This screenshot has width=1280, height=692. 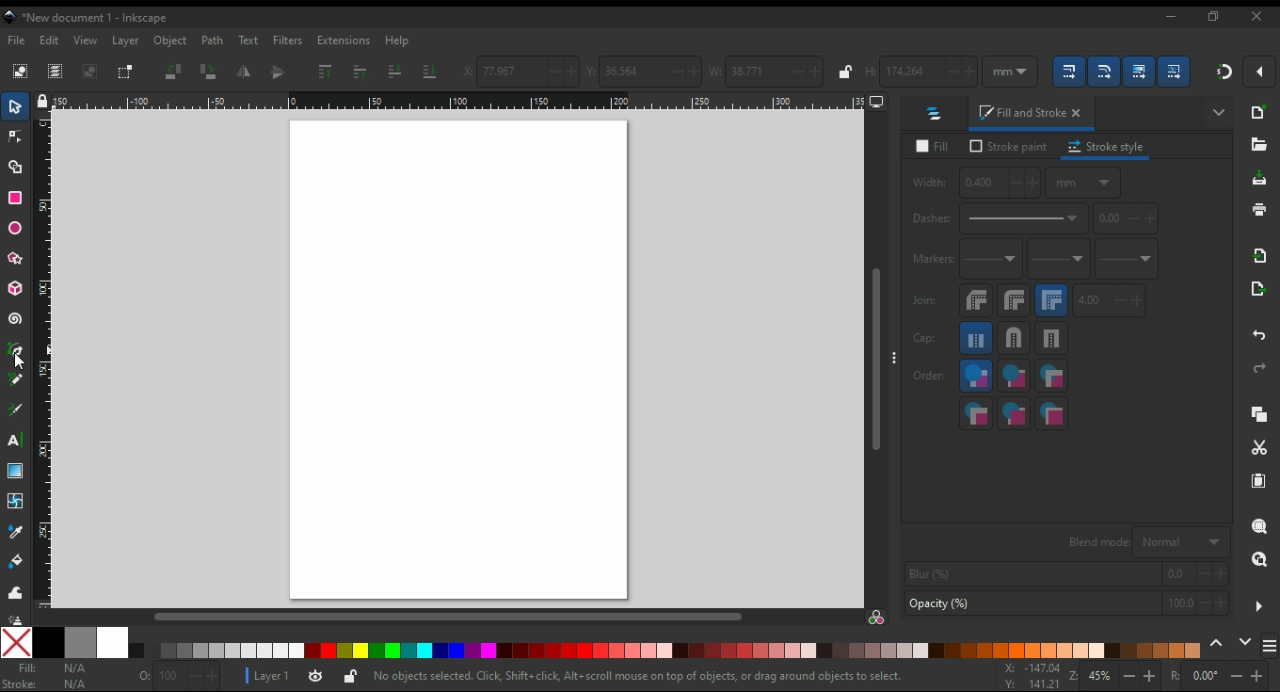 I want to click on white, so click(x=113, y=643).